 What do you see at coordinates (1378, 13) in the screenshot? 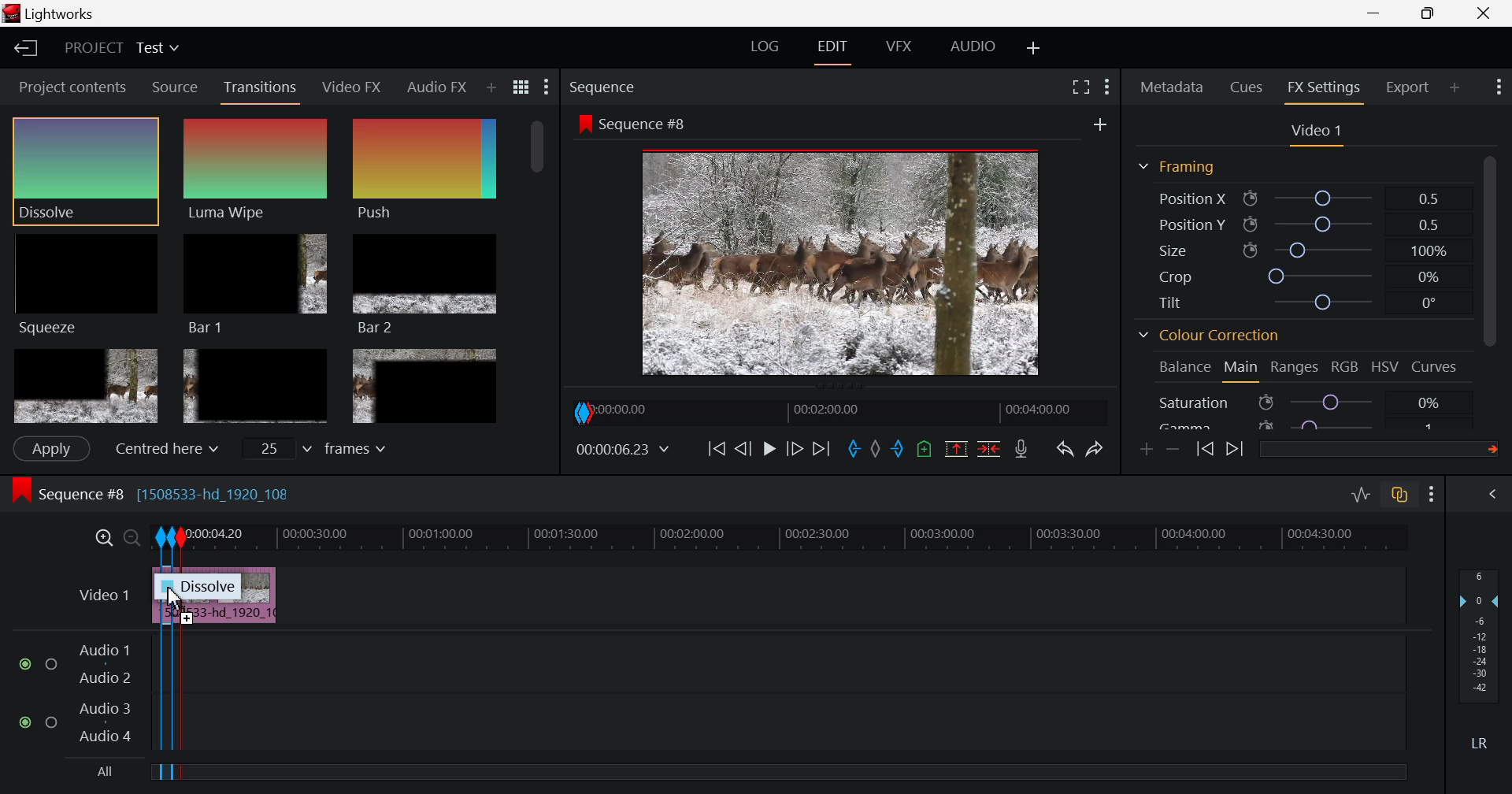
I see `Restore Down` at bounding box center [1378, 13].